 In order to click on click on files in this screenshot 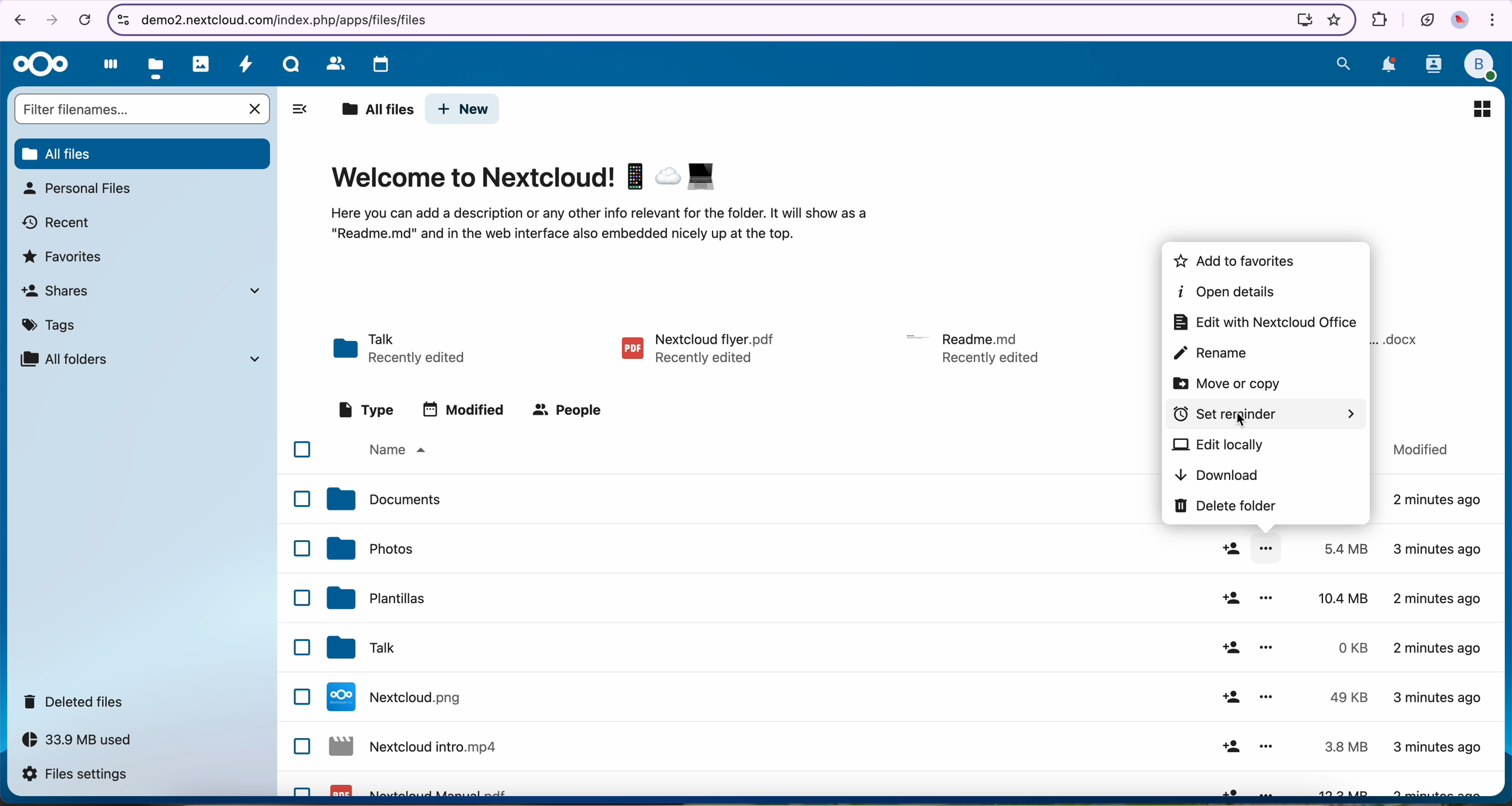, I will do `click(158, 62)`.